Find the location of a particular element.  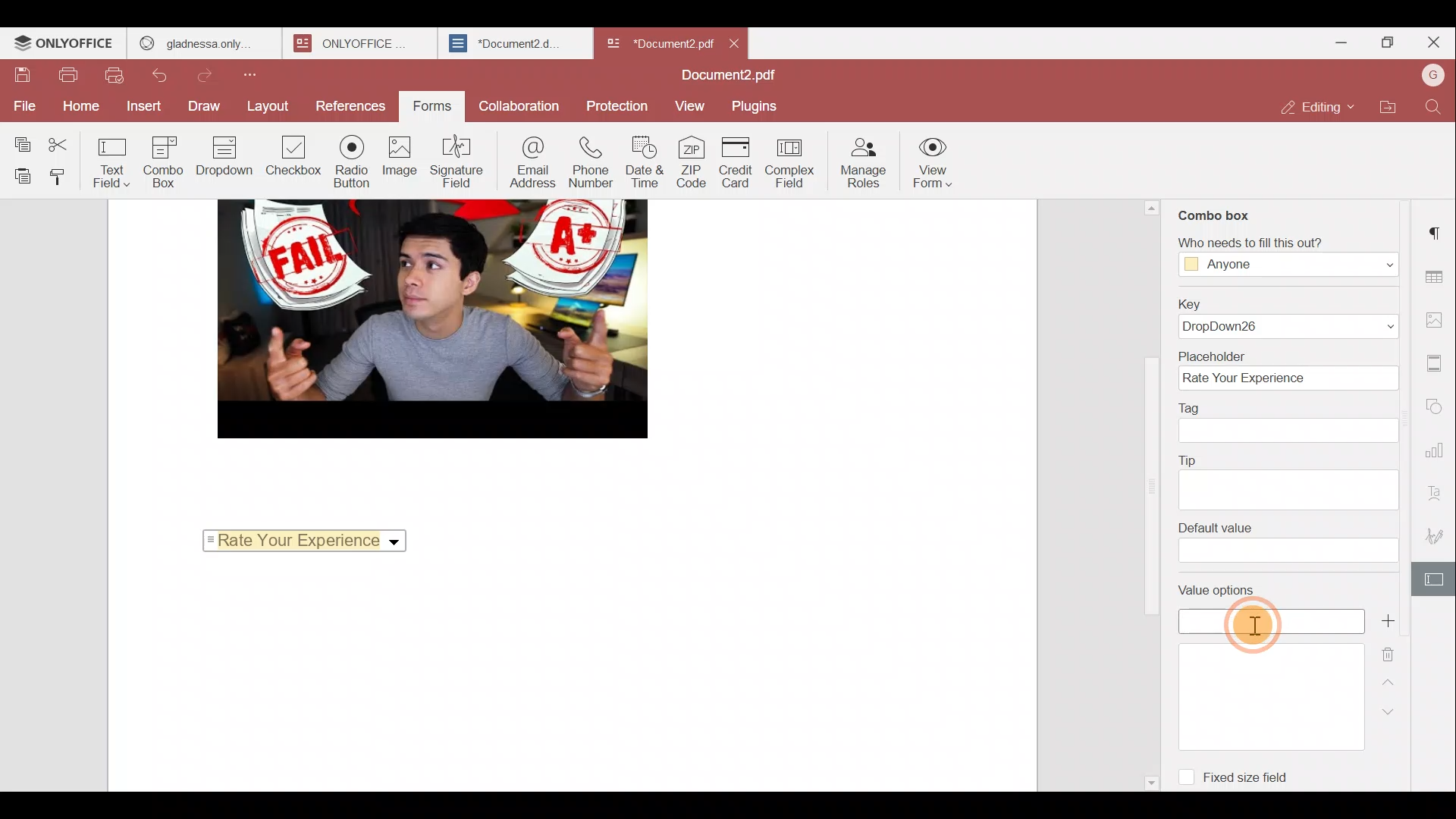

ONLYOFFICE is located at coordinates (350, 43).